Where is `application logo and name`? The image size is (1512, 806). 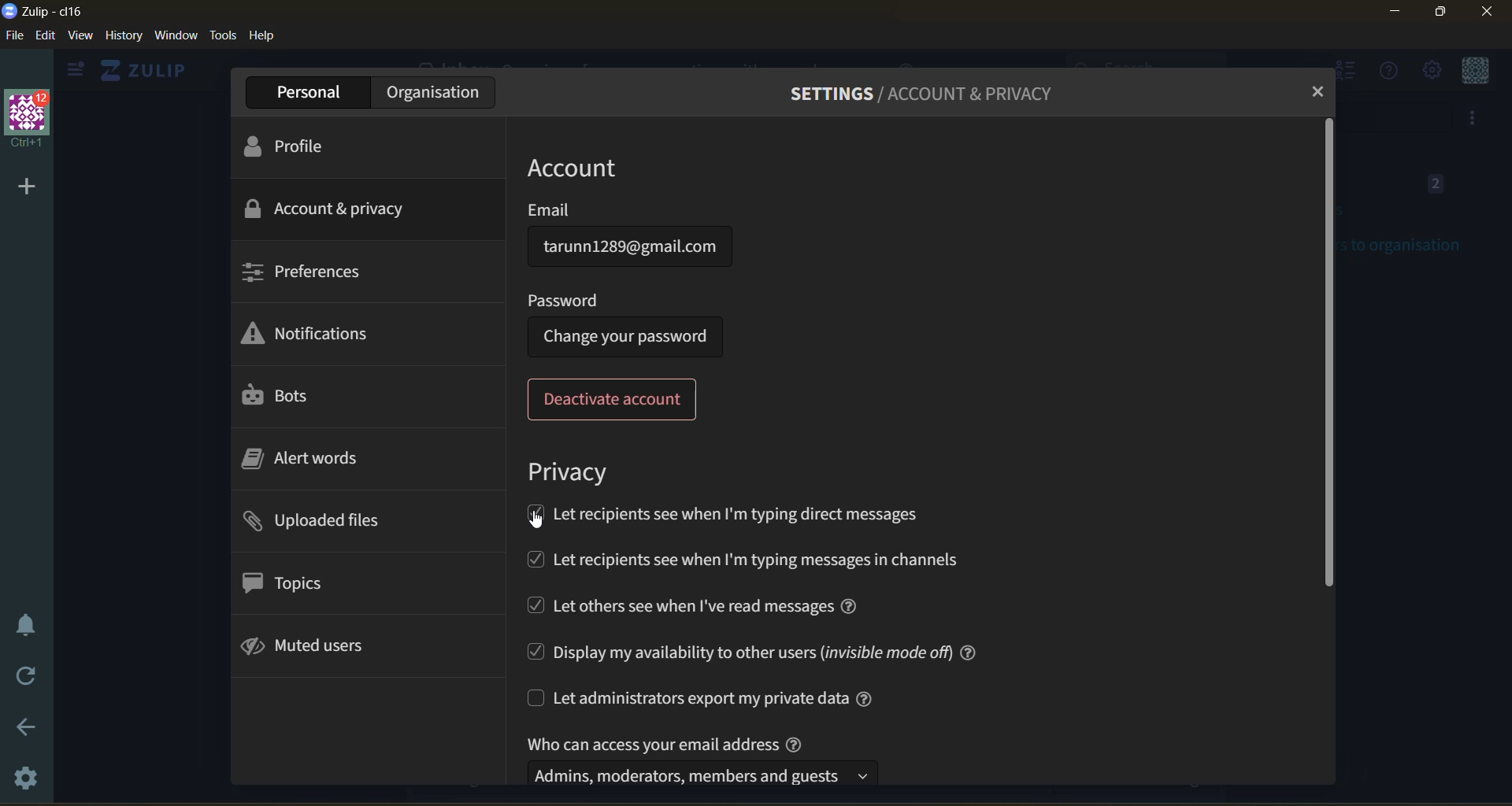
application logo and name is located at coordinates (47, 10).